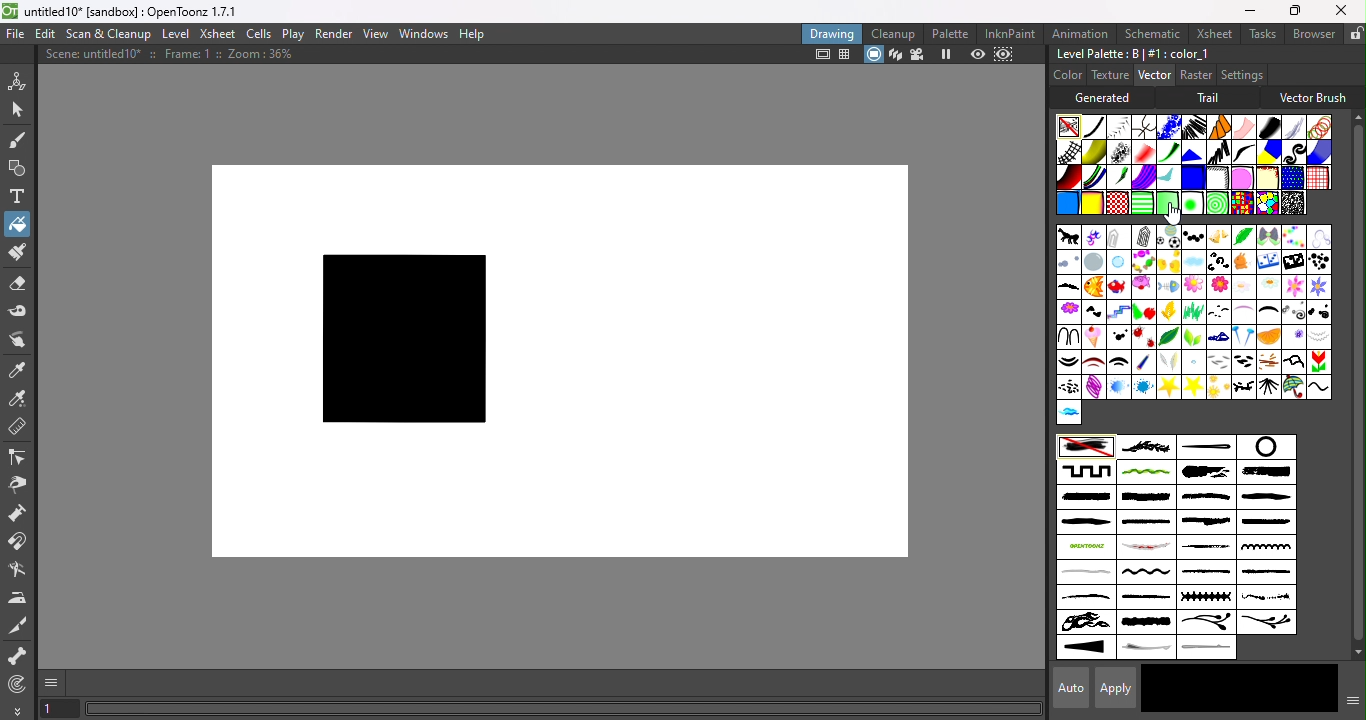  I want to click on hedge, so click(1291, 312).